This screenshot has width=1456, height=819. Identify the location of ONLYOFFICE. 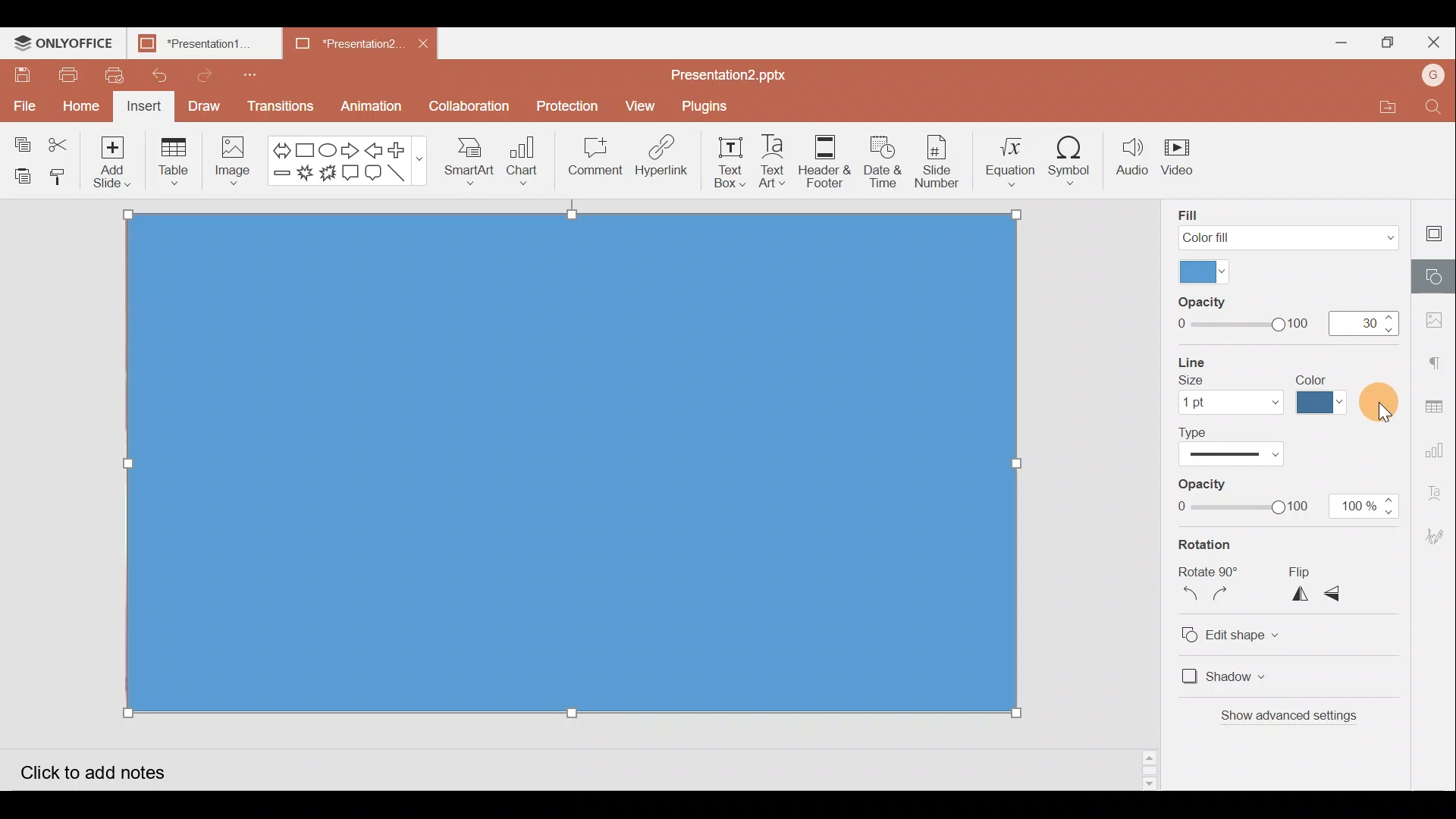
(64, 42).